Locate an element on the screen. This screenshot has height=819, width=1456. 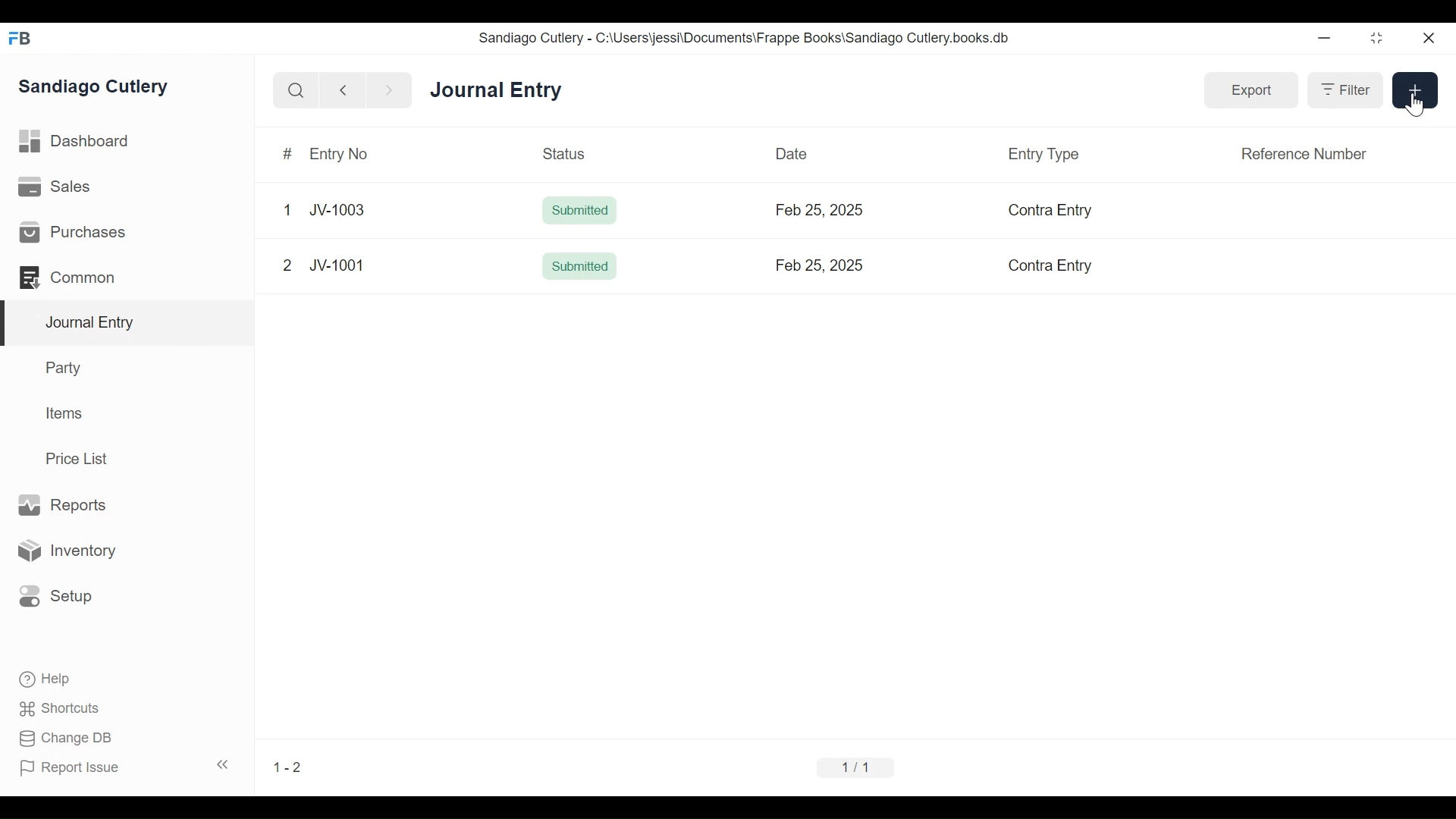
Cursor is located at coordinates (1420, 105).